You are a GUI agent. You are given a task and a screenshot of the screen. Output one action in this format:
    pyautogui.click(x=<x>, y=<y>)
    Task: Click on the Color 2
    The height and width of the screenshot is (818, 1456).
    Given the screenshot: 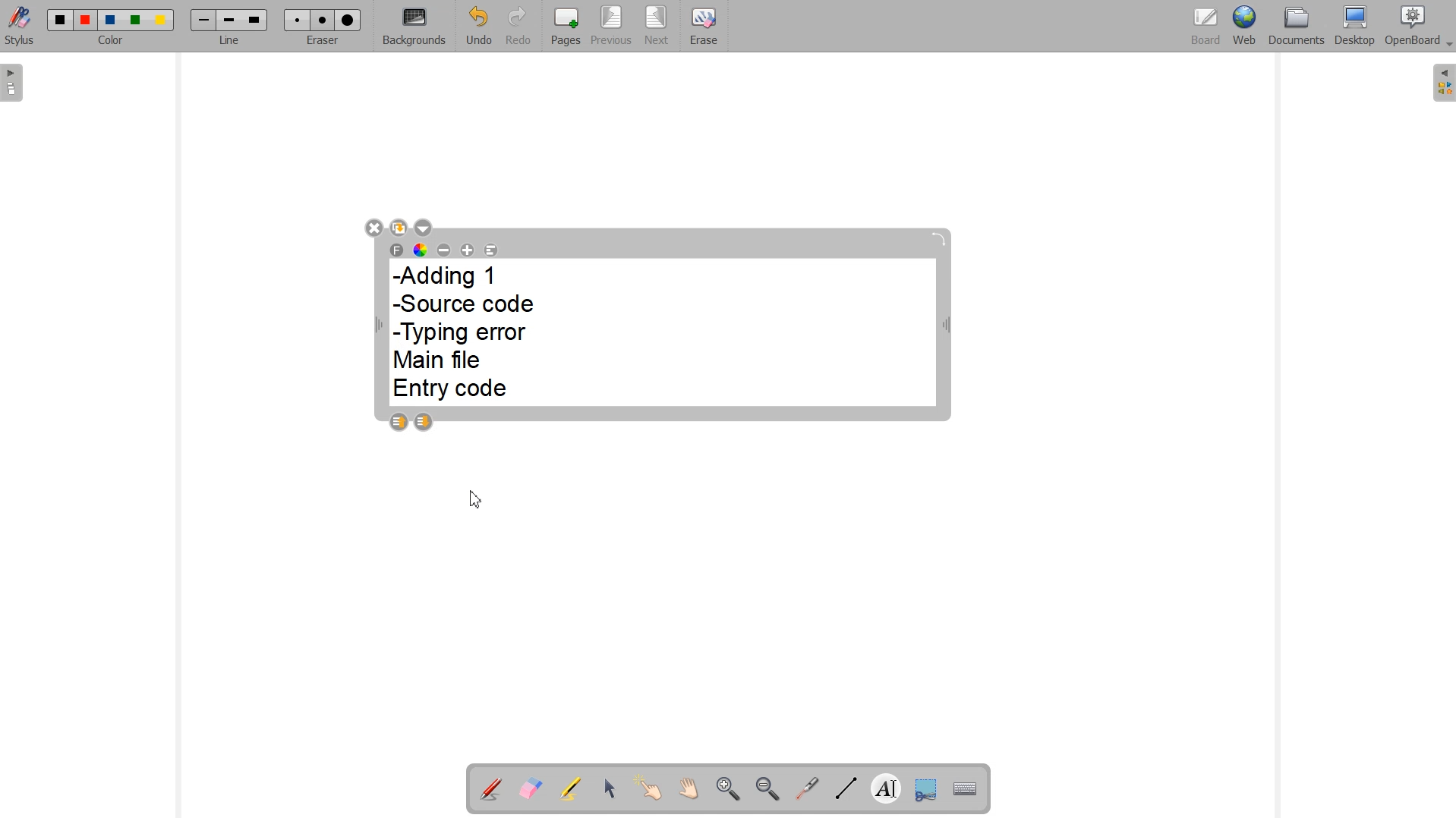 What is the action you would take?
    pyautogui.click(x=87, y=20)
    